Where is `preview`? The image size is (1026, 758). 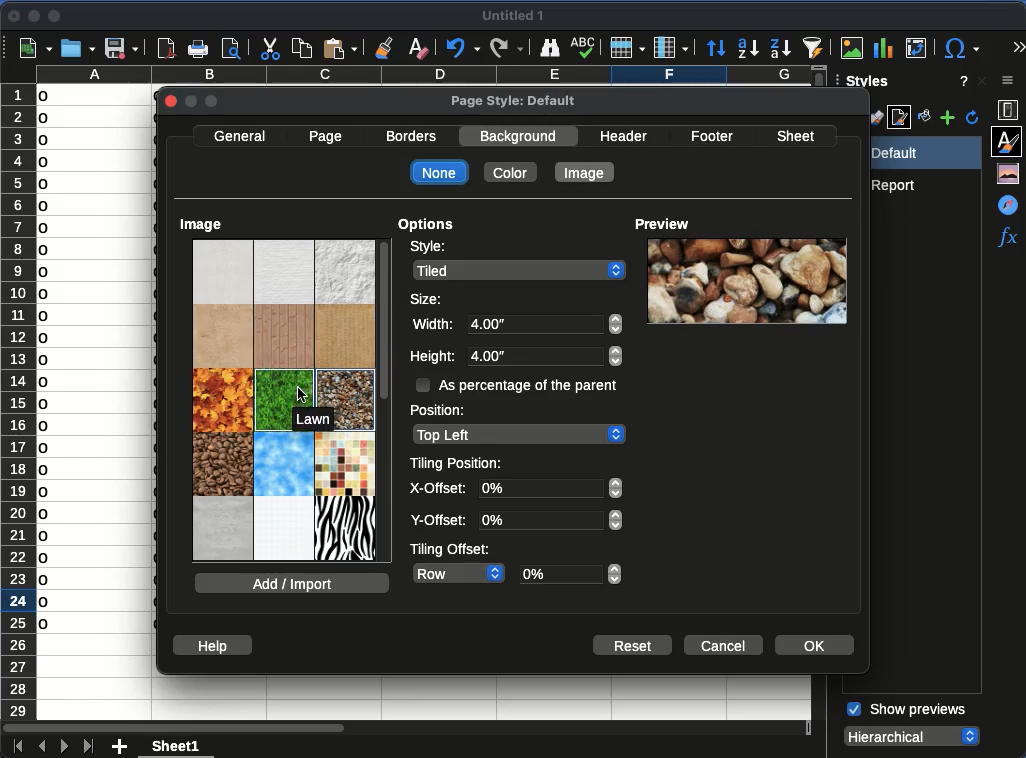
preview is located at coordinates (660, 223).